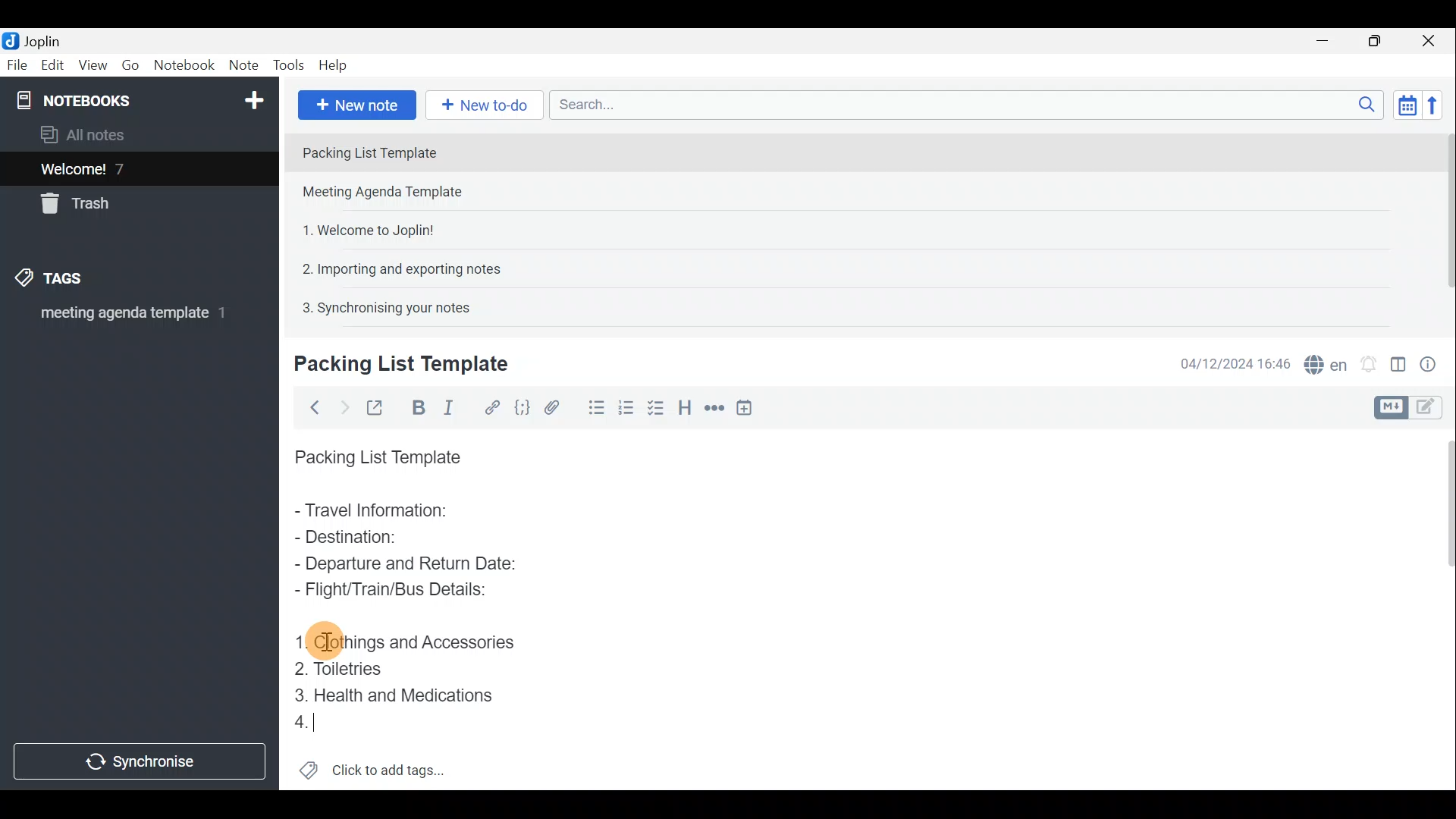 This screenshot has width=1456, height=819. What do you see at coordinates (375, 453) in the screenshot?
I see `Packing List Template` at bounding box center [375, 453].